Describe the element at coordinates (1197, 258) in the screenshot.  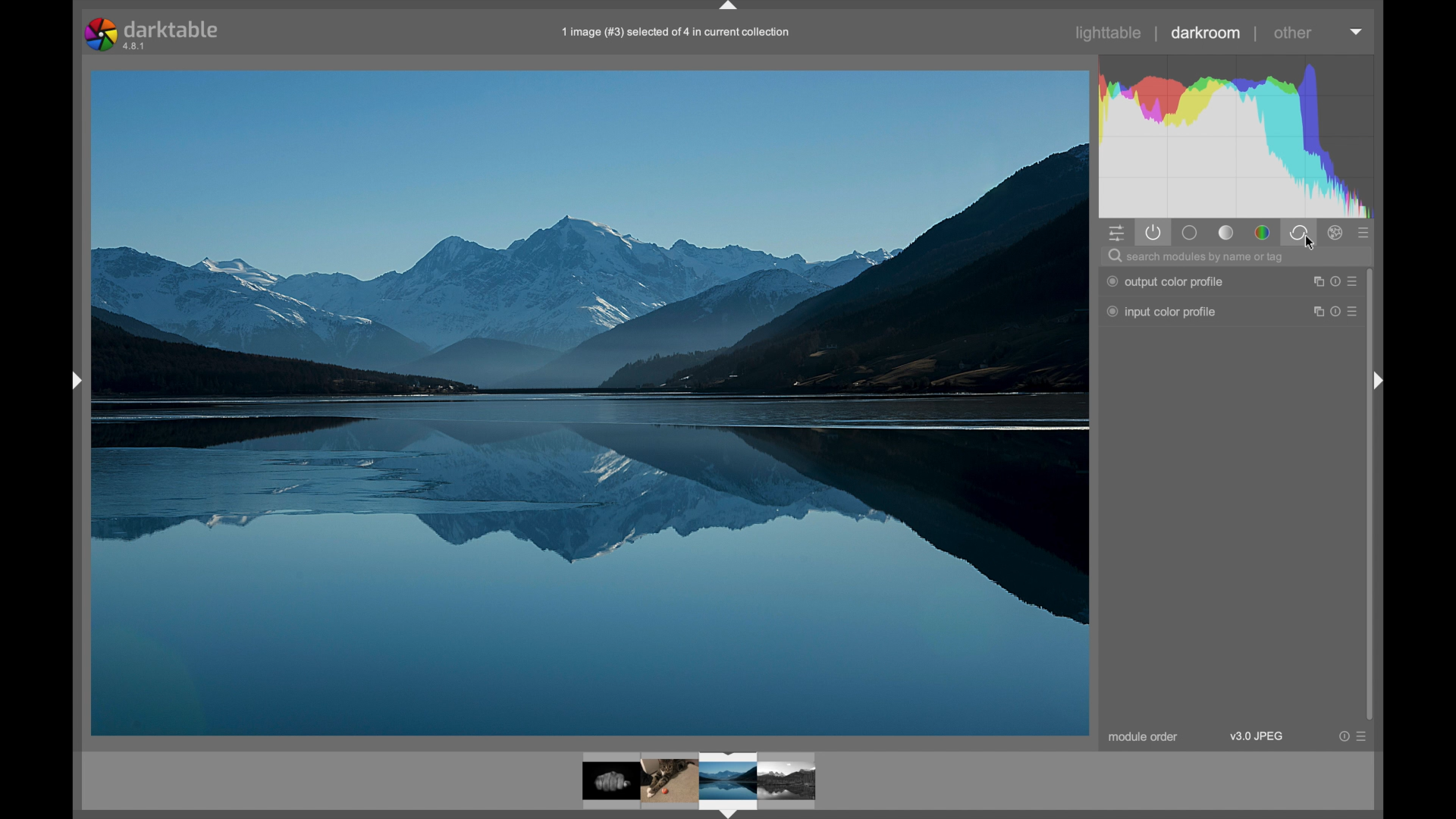
I see `search modules by name or tag` at that location.